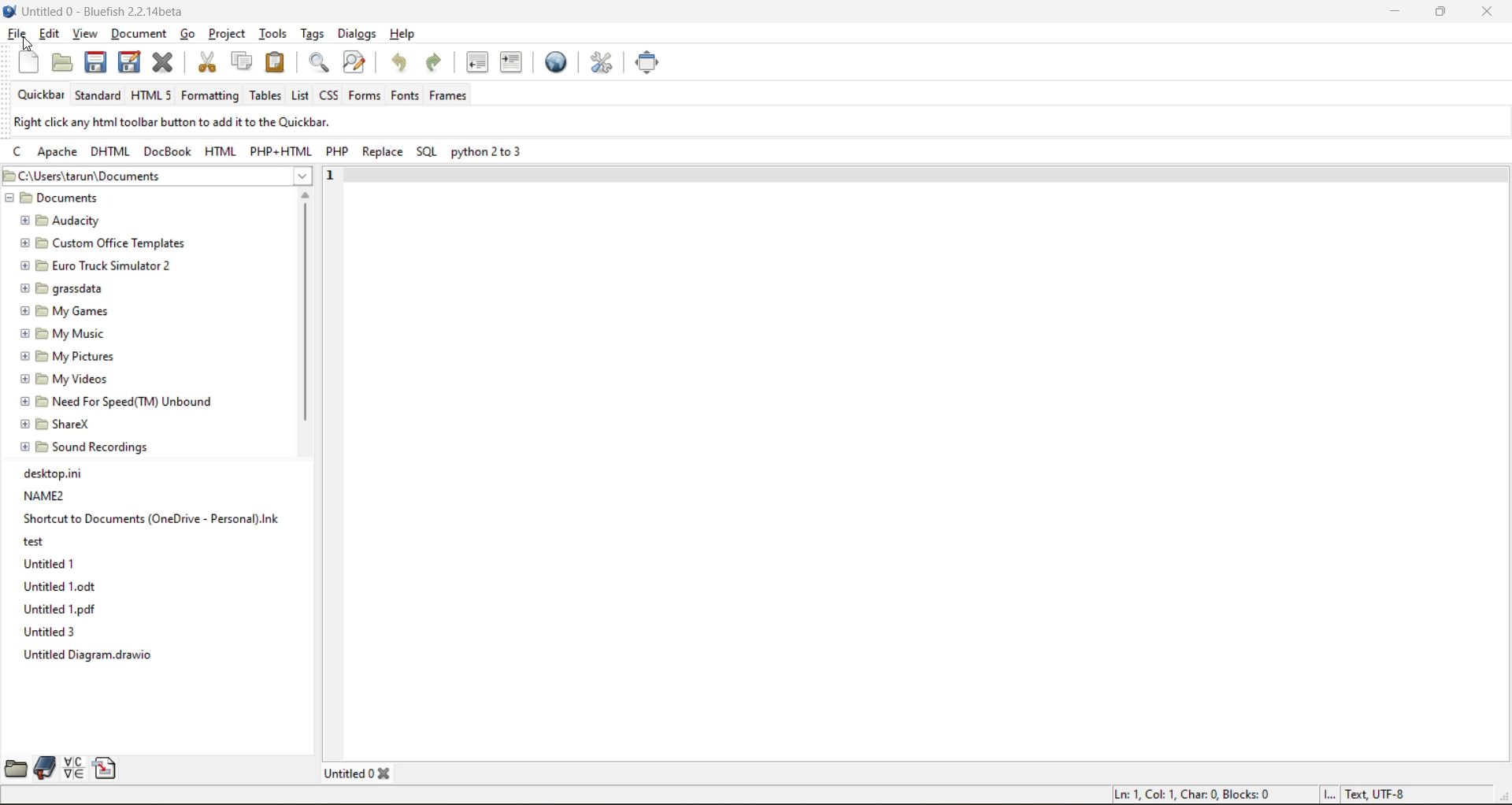 The image size is (1512, 805). What do you see at coordinates (334, 178) in the screenshot?
I see `1` at bounding box center [334, 178].